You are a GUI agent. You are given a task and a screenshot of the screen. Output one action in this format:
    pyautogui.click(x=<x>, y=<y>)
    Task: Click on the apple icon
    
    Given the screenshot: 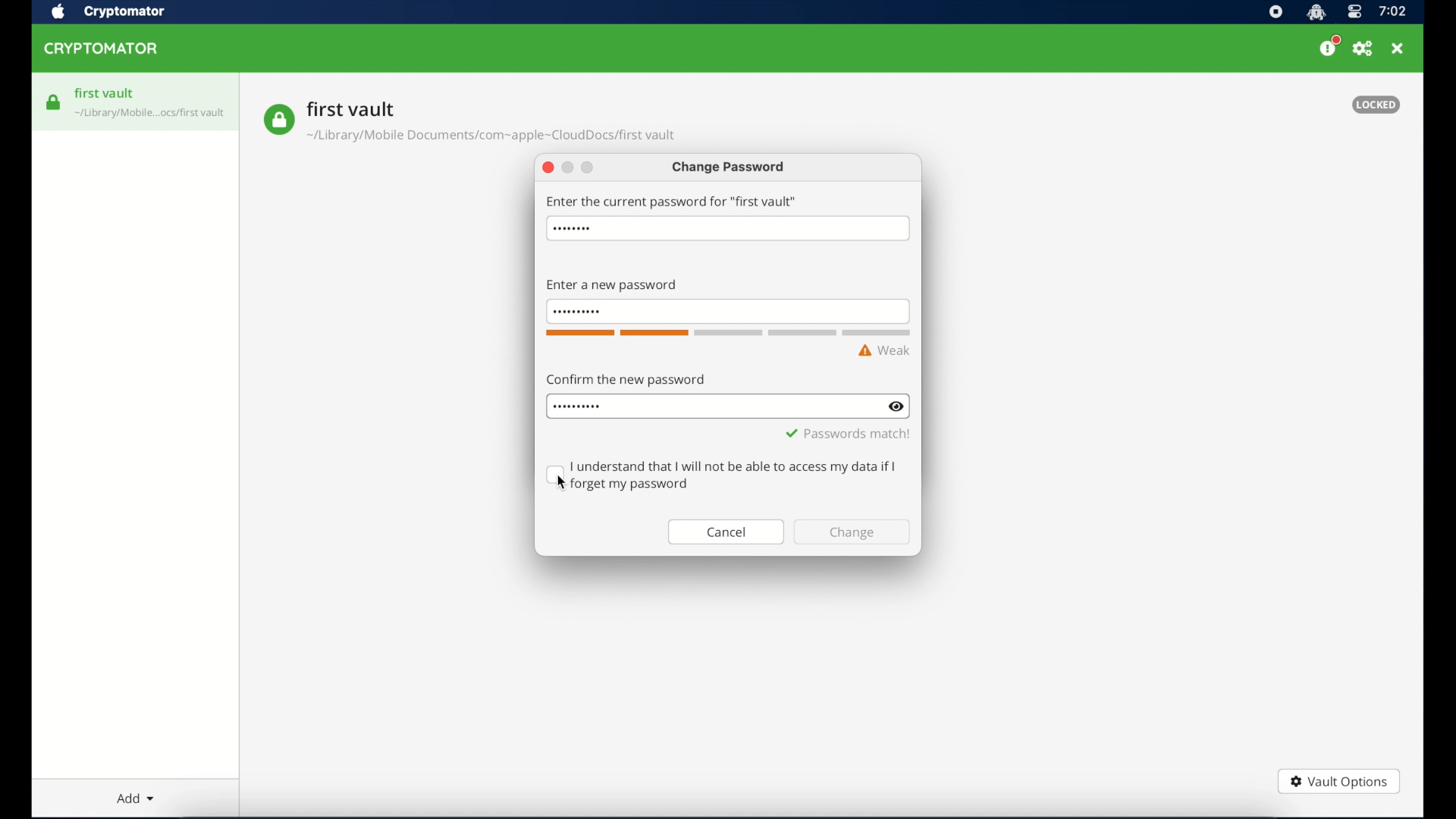 What is the action you would take?
    pyautogui.click(x=57, y=12)
    